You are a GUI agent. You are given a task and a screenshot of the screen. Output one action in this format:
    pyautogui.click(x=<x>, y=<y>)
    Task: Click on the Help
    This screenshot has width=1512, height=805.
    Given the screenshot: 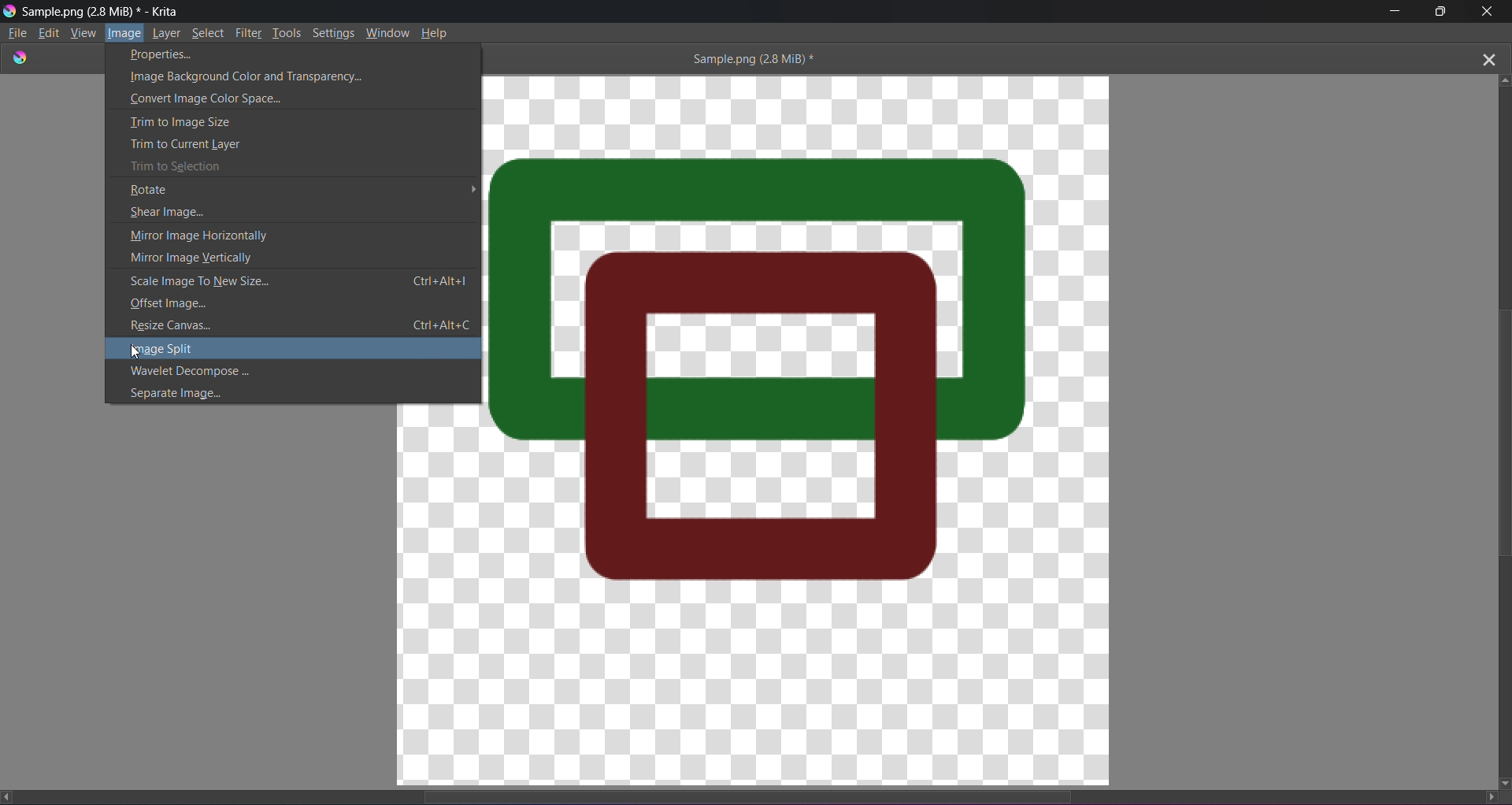 What is the action you would take?
    pyautogui.click(x=436, y=32)
    